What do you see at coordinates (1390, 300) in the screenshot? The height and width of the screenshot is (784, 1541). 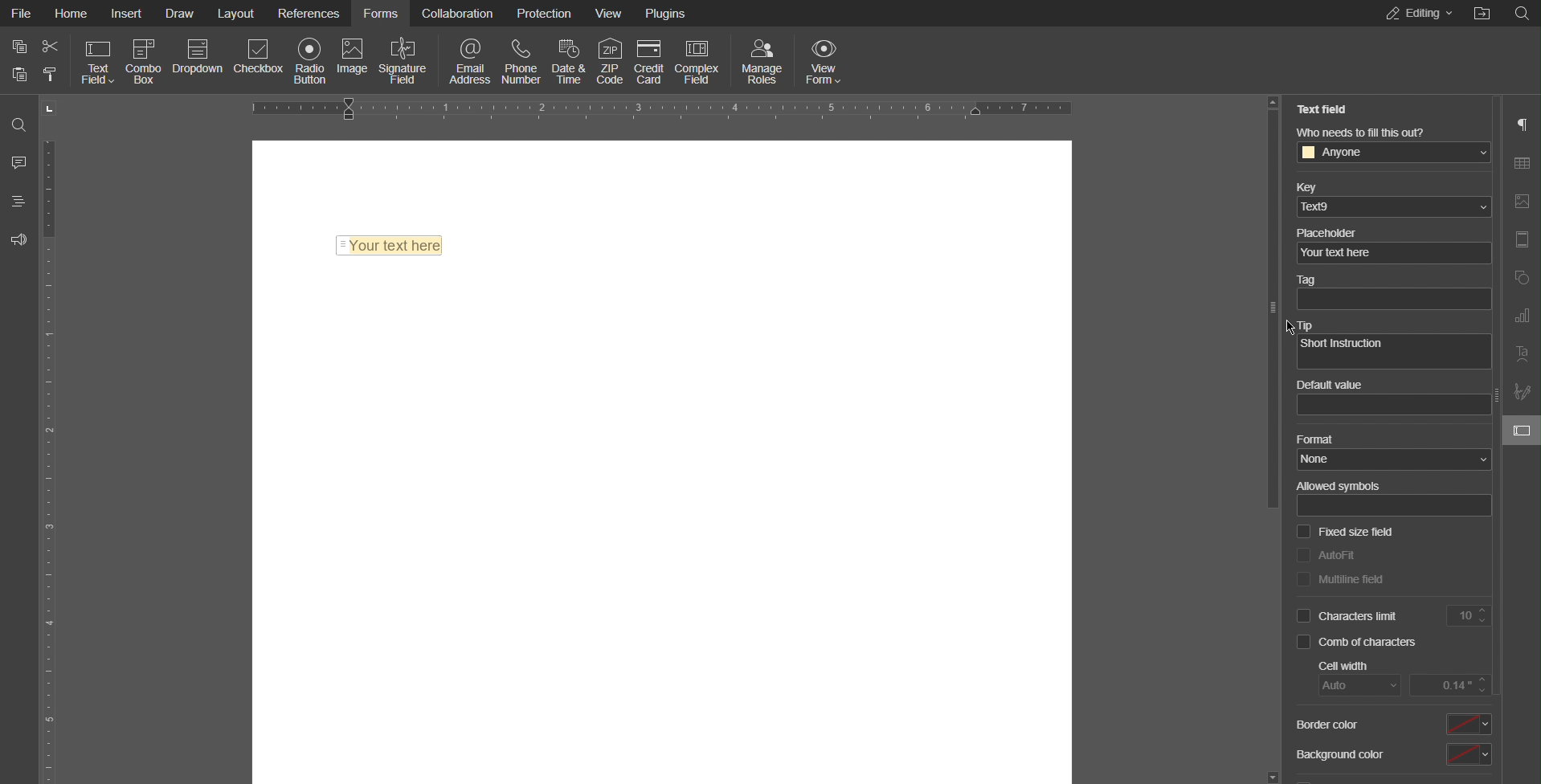 I see `textbox` at bounding box center [1390, 300].